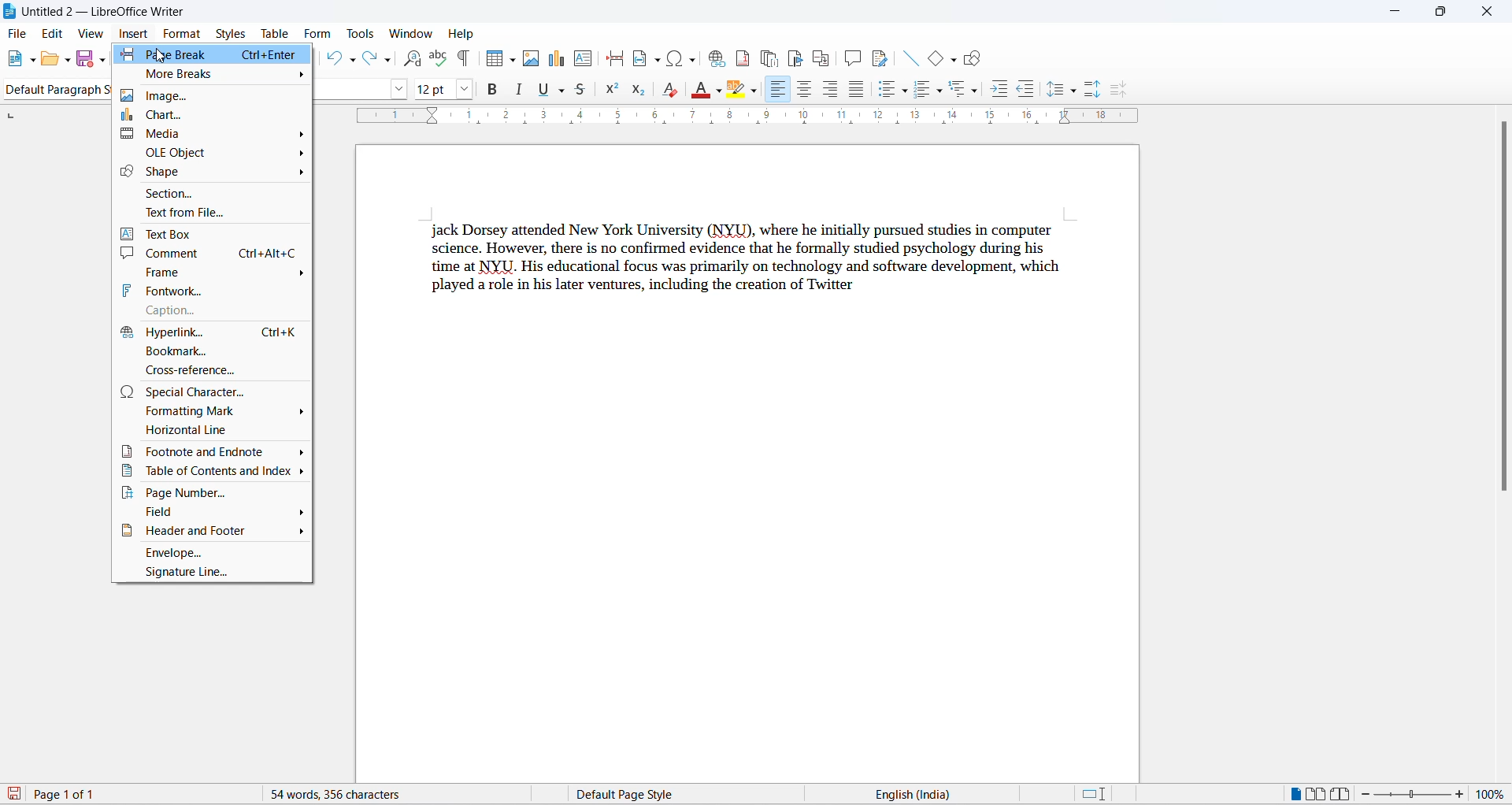  I want to click on insert page break, so click(613, 57).